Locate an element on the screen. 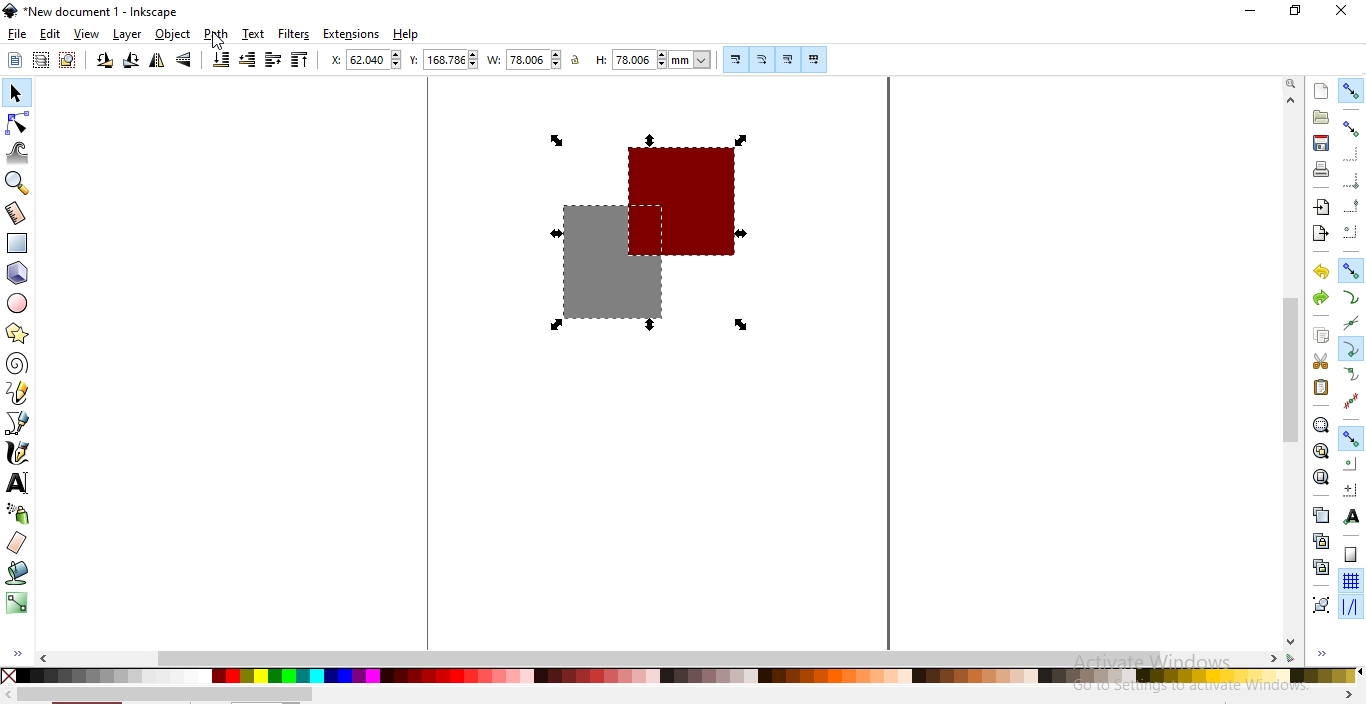 The width and height of the screenshot is (1366, 704). select all objects or nodes is located at coordinates (16, 59).